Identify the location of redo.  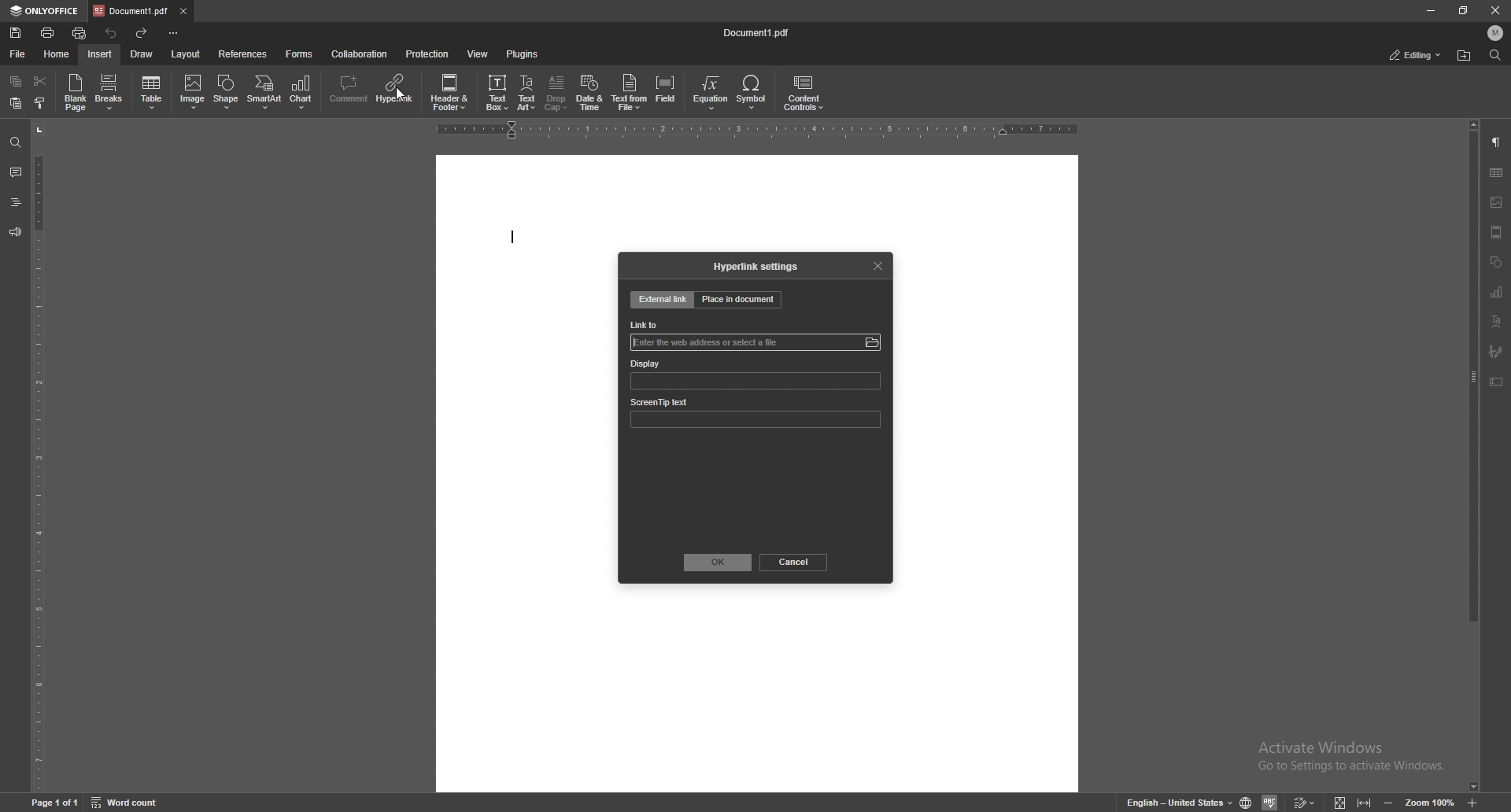
(142, 32).